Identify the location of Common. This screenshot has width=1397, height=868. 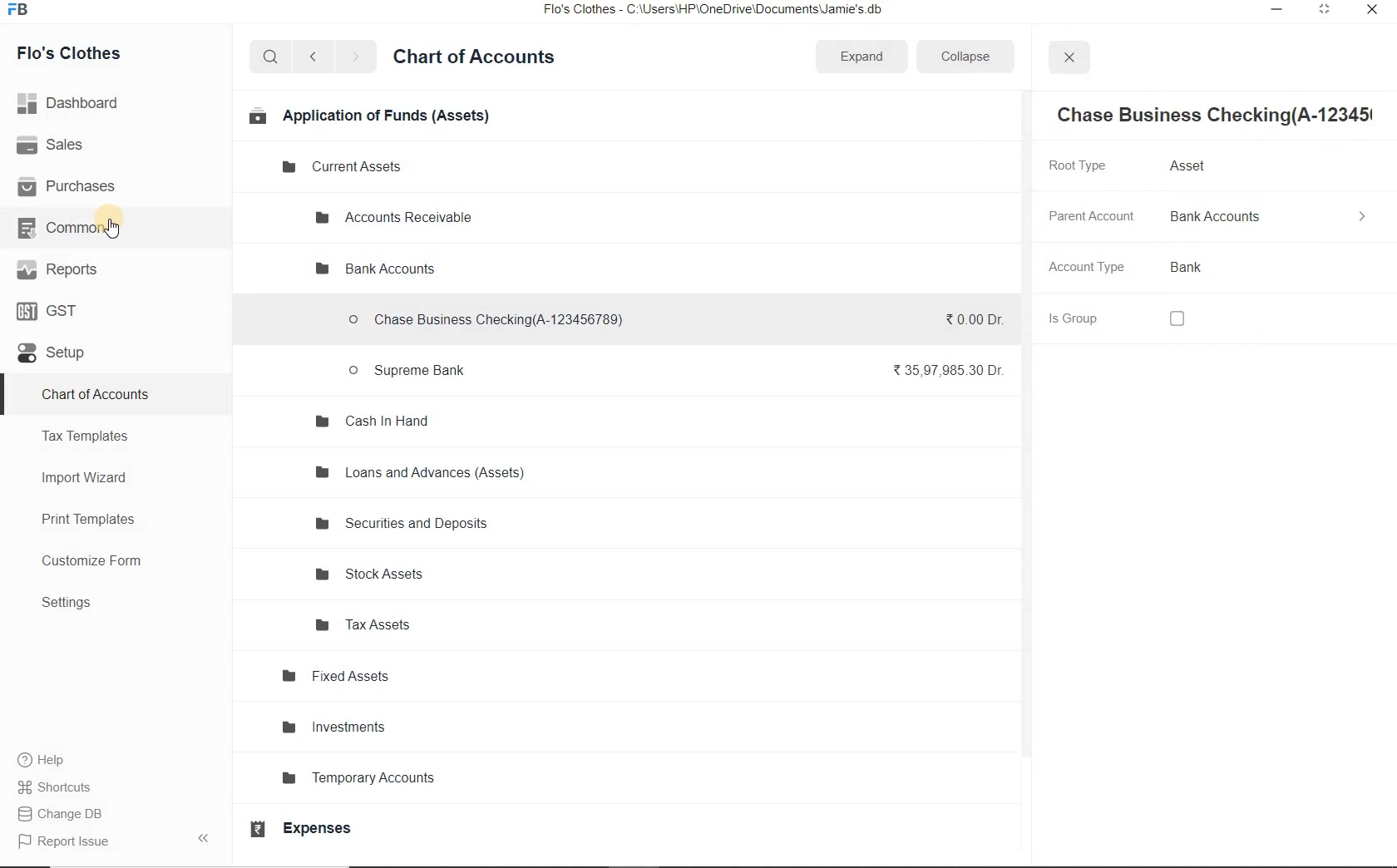
(81, 227).